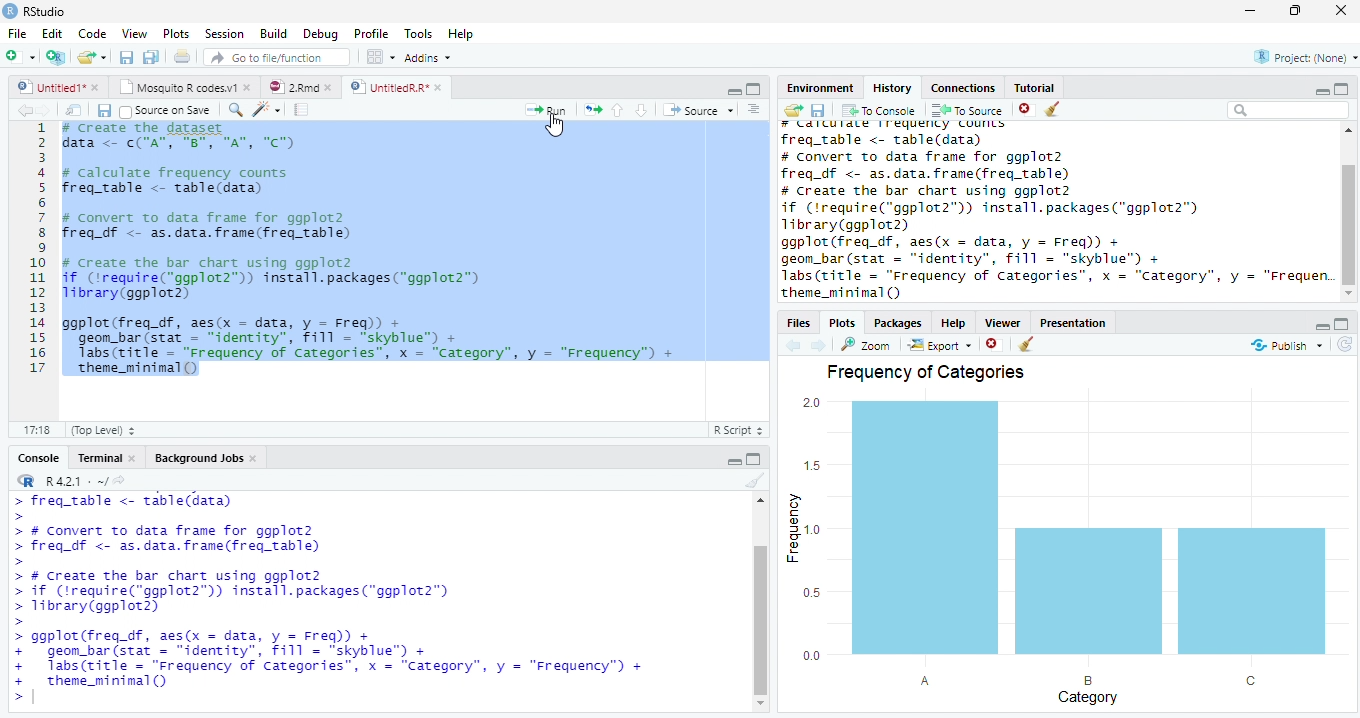 The width and height of the screenshot is (1360, 718). I want to click on Environment, so click(818, 88).